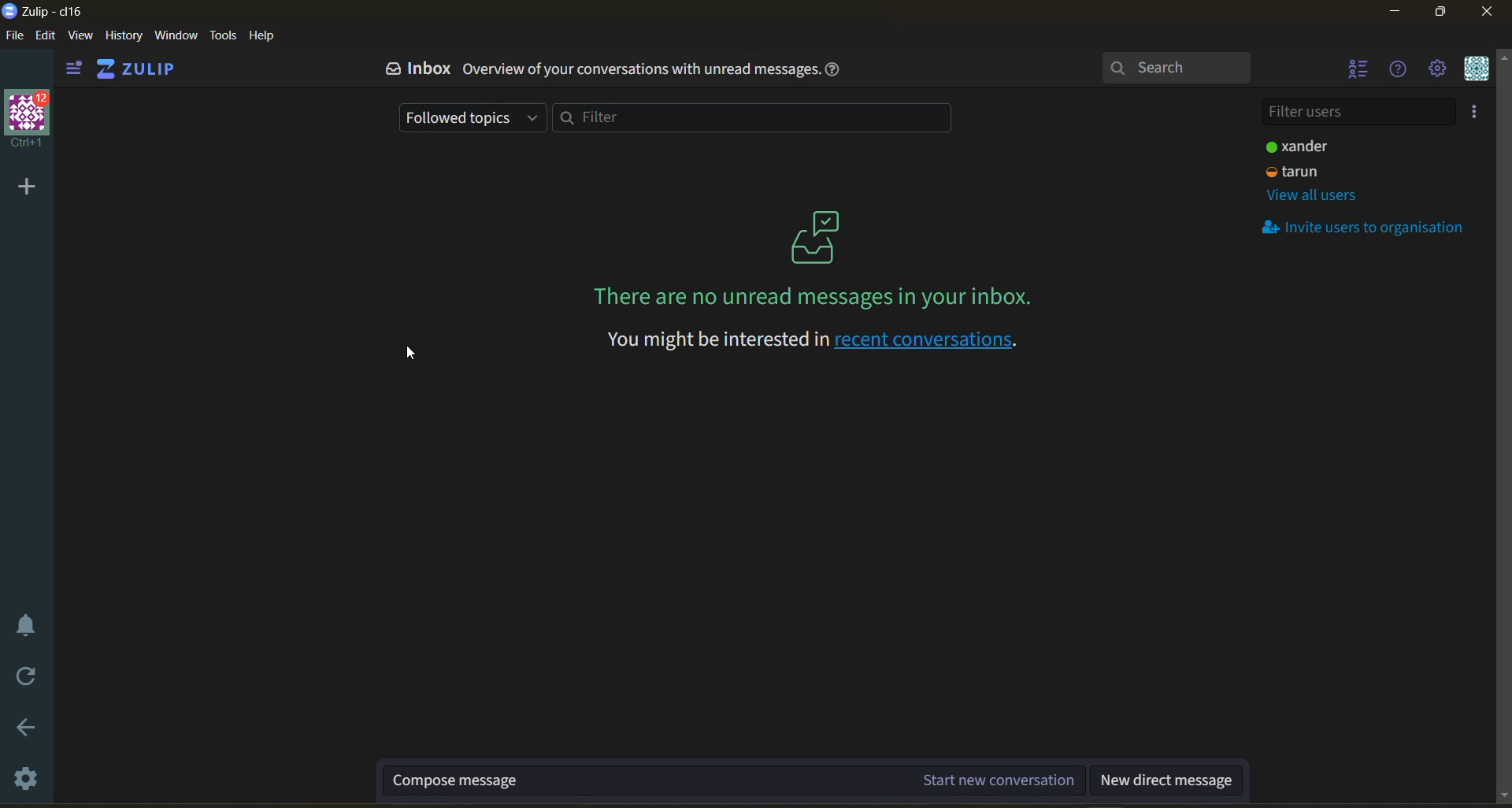  I want to click on filter users, so click(1366, 109).